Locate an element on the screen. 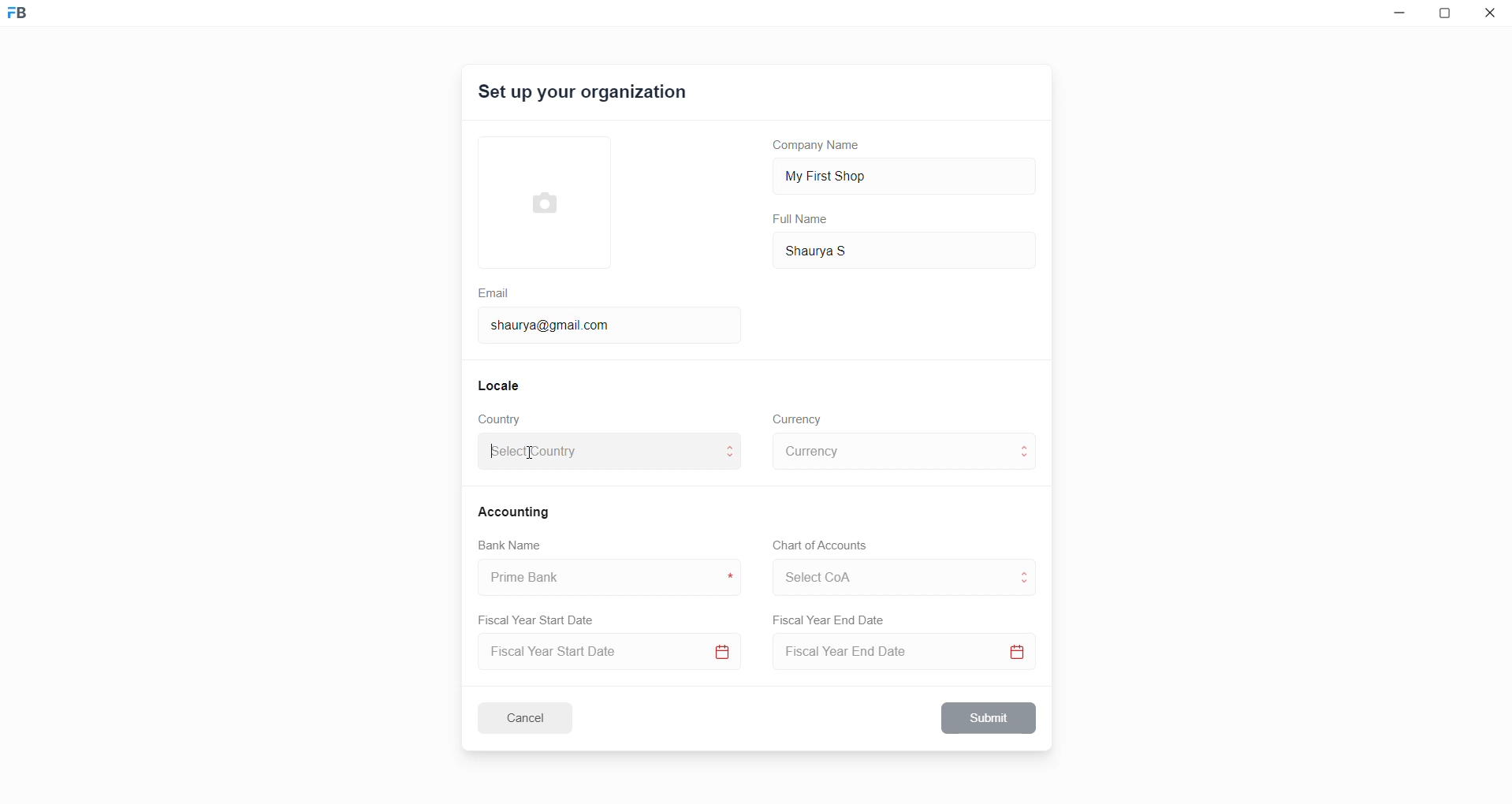  move to above curreny is located at coordinates (1028, 445).